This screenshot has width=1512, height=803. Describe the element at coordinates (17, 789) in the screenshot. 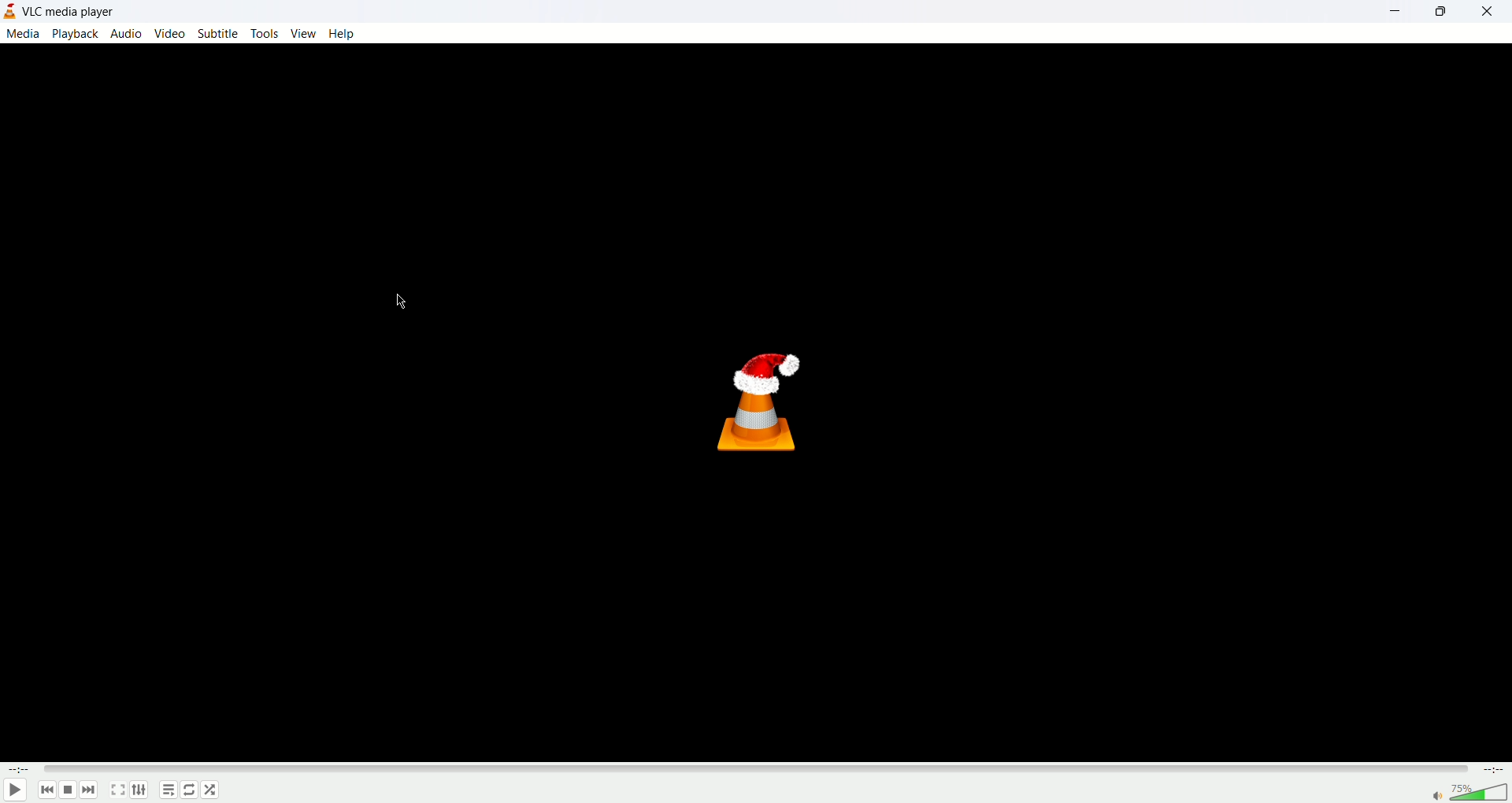

I see `play` at that location.